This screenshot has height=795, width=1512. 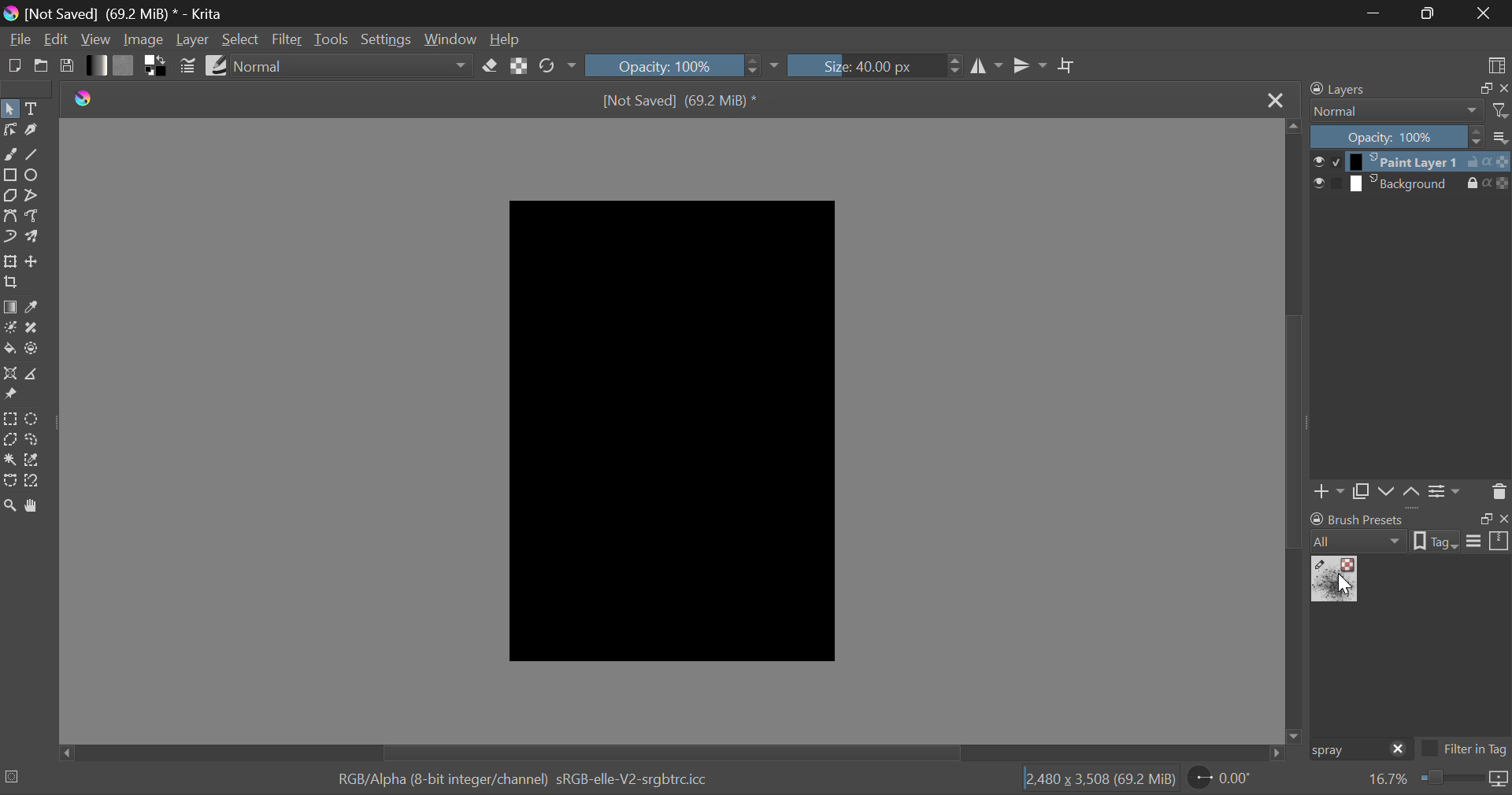 I want to click on Polygon, so click(x=11, y=197).